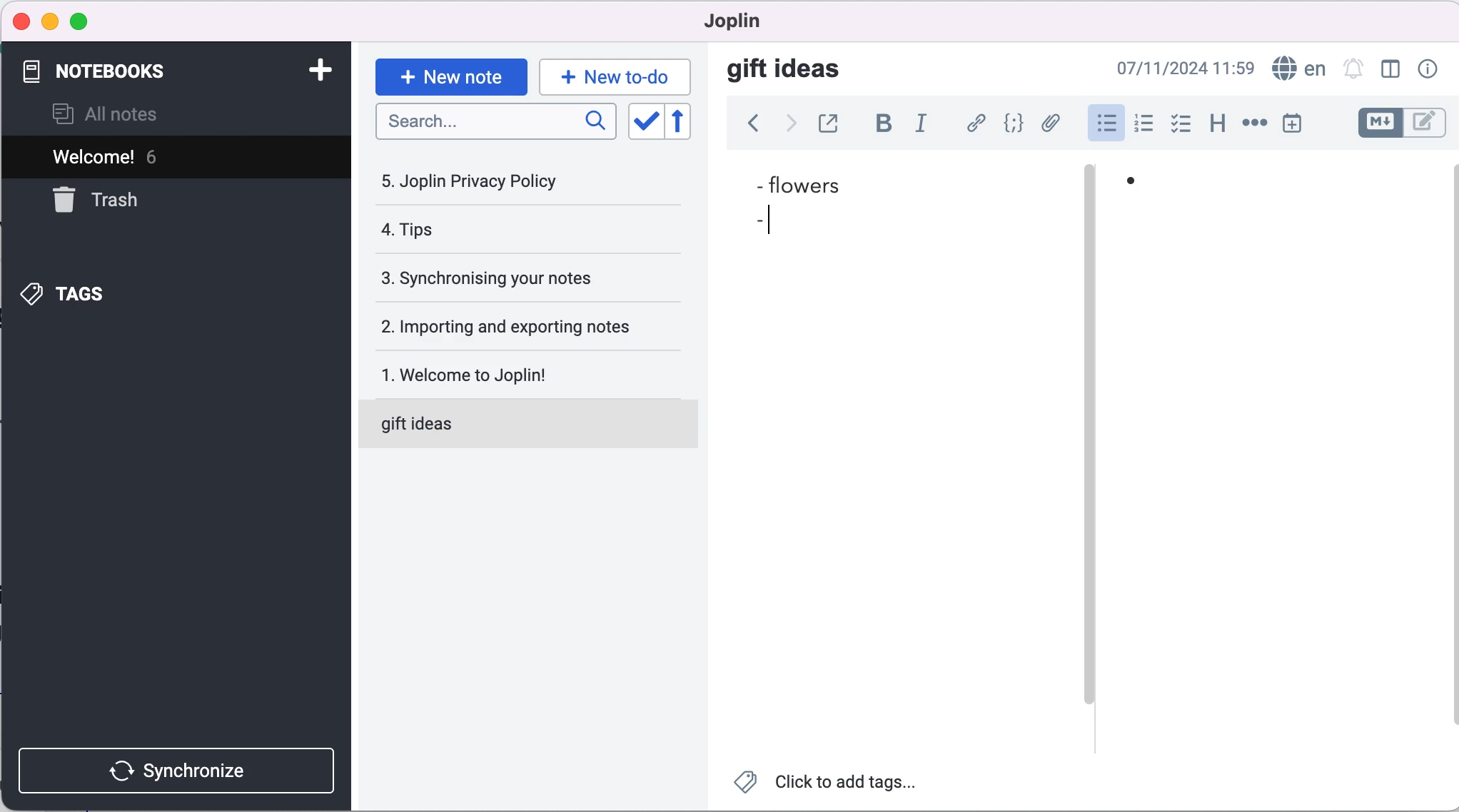 The height and width of the screenshot is (812, 1459). What do you see at coordinates (1254, 125) in the screenshot?
I see `horizontal rule` at bounding box center [1254, 125].